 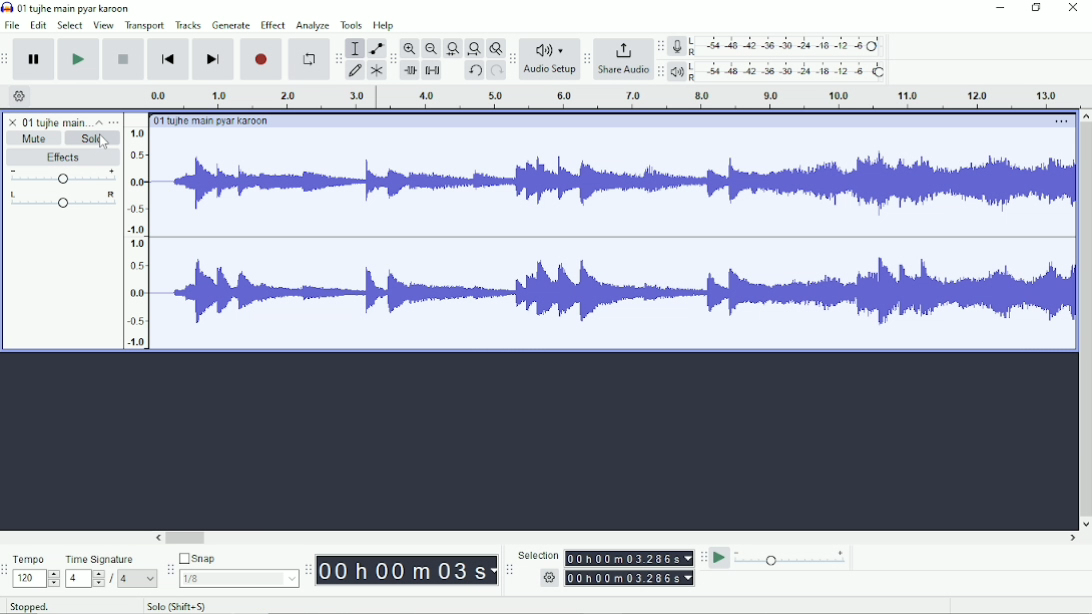 What do you see at coordinates (791, 558) in the screenshot?
I see `Playback speed` at bounding box center [791, 558].